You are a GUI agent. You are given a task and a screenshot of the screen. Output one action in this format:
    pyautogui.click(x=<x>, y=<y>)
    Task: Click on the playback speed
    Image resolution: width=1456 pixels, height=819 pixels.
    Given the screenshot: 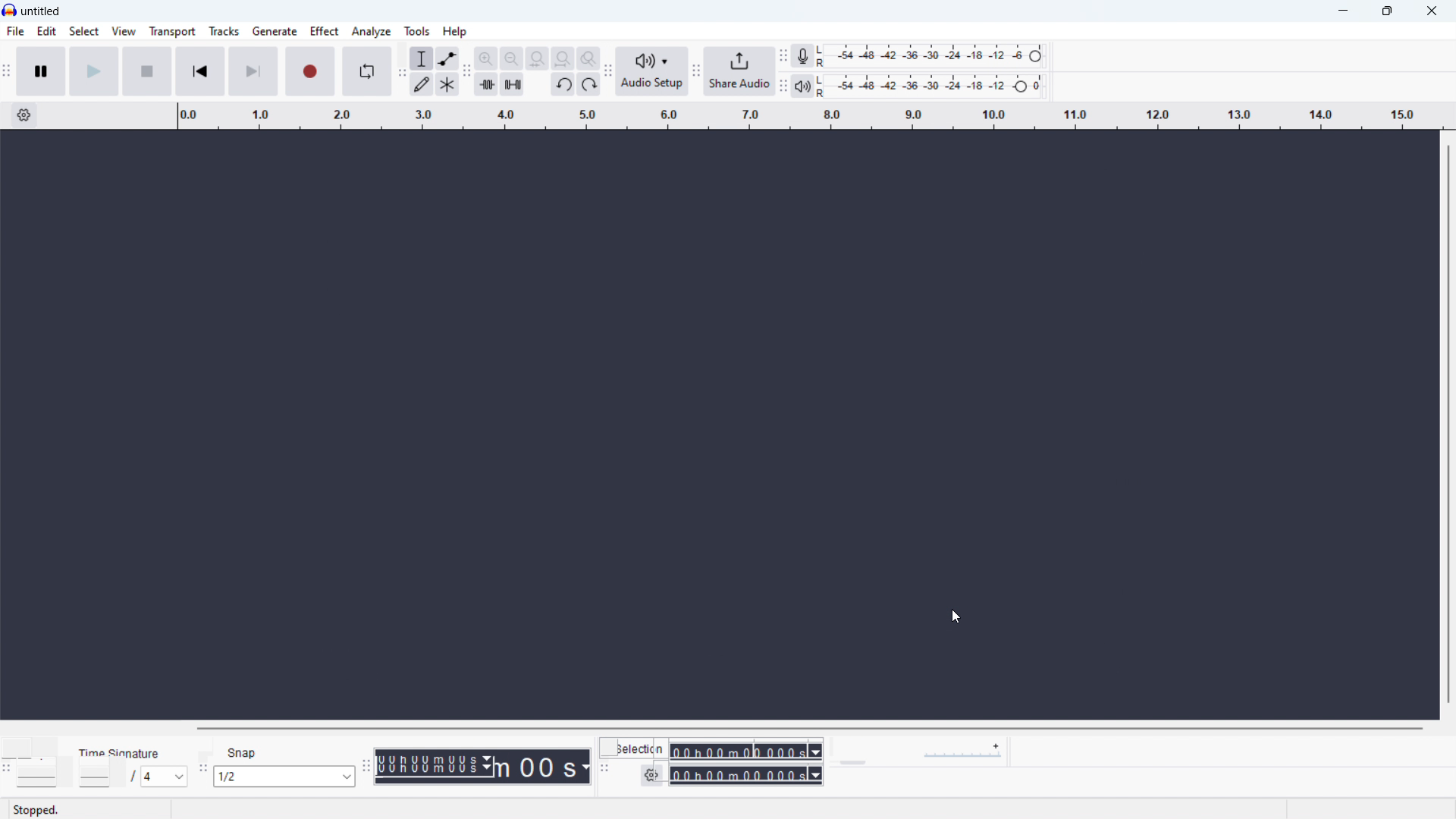 What is the action you would take?
    pyautogui.click(x=936, y=752)
    